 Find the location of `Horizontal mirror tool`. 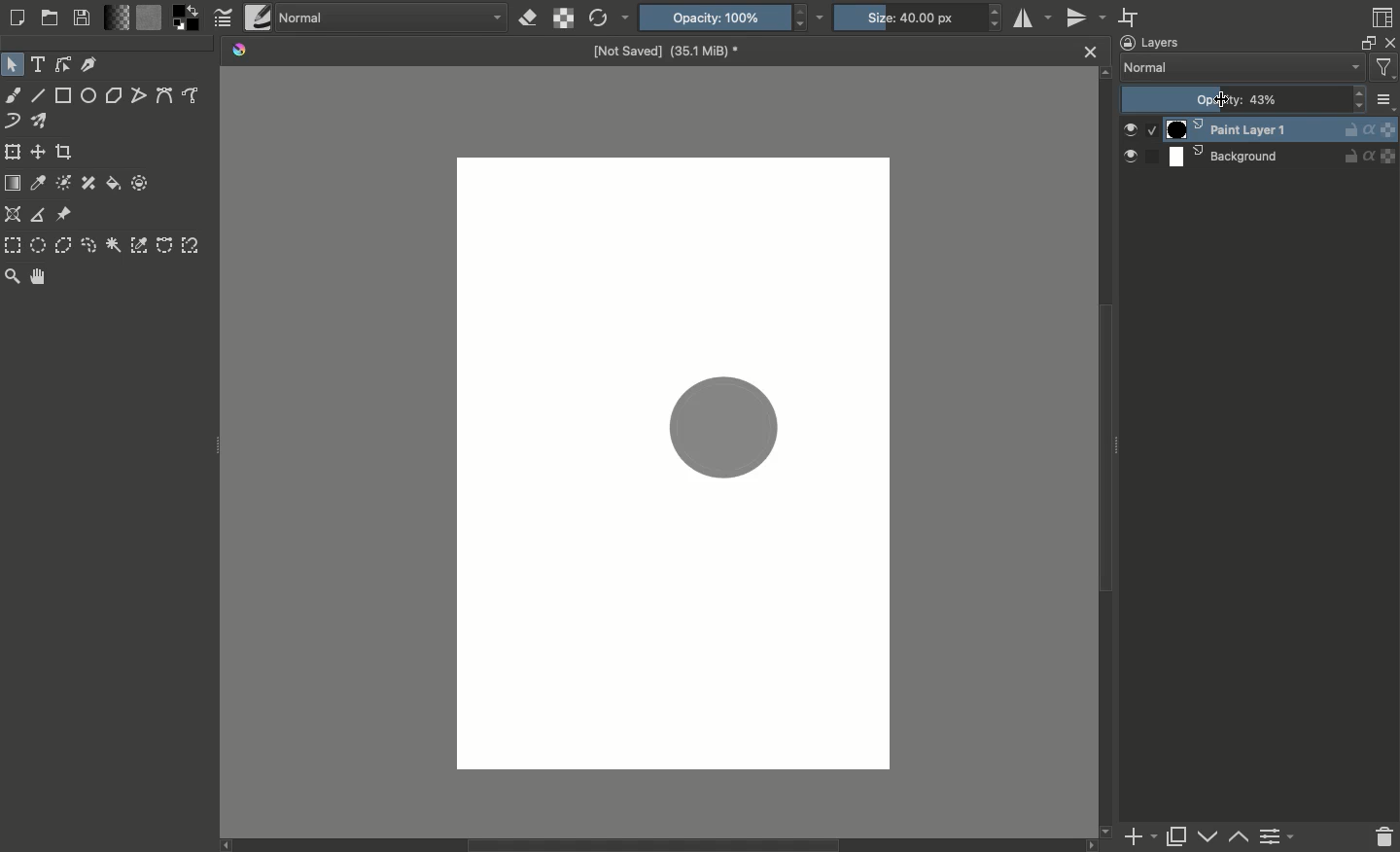

Horizontal mirror tool is located at coordinates (1032, 19).